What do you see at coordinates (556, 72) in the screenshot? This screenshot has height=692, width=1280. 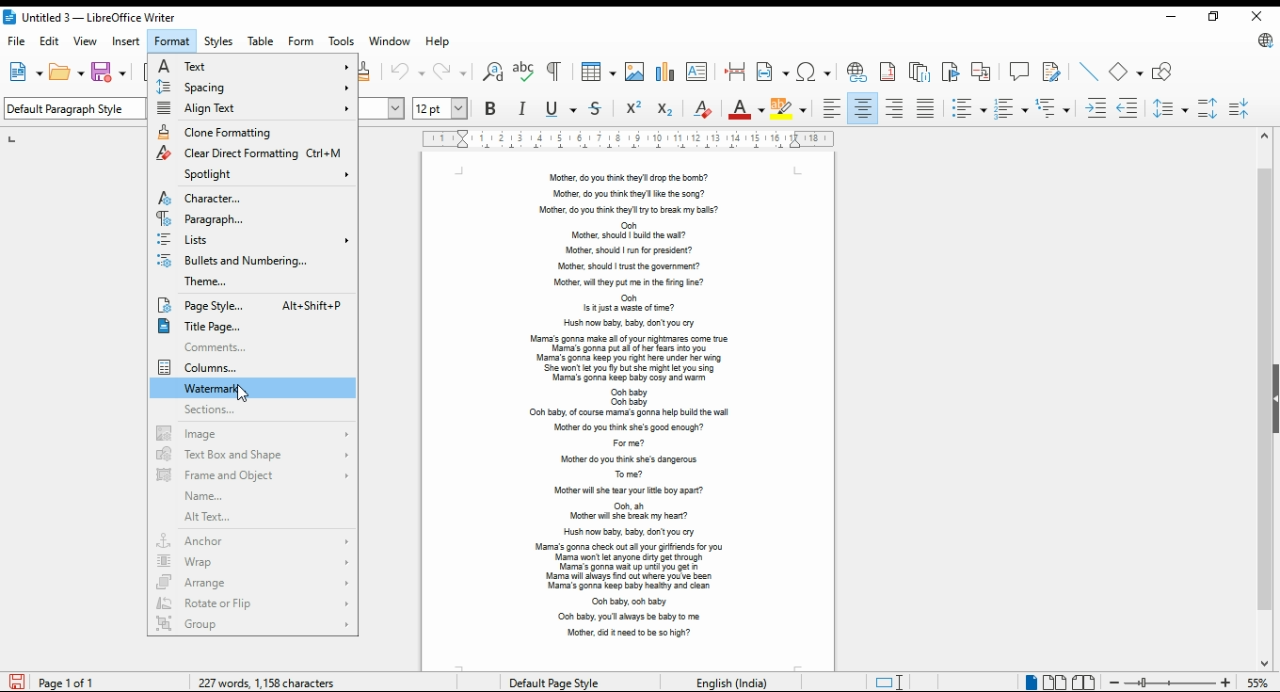 I see `toggle formatting marks` at bounding box center [556, 72].